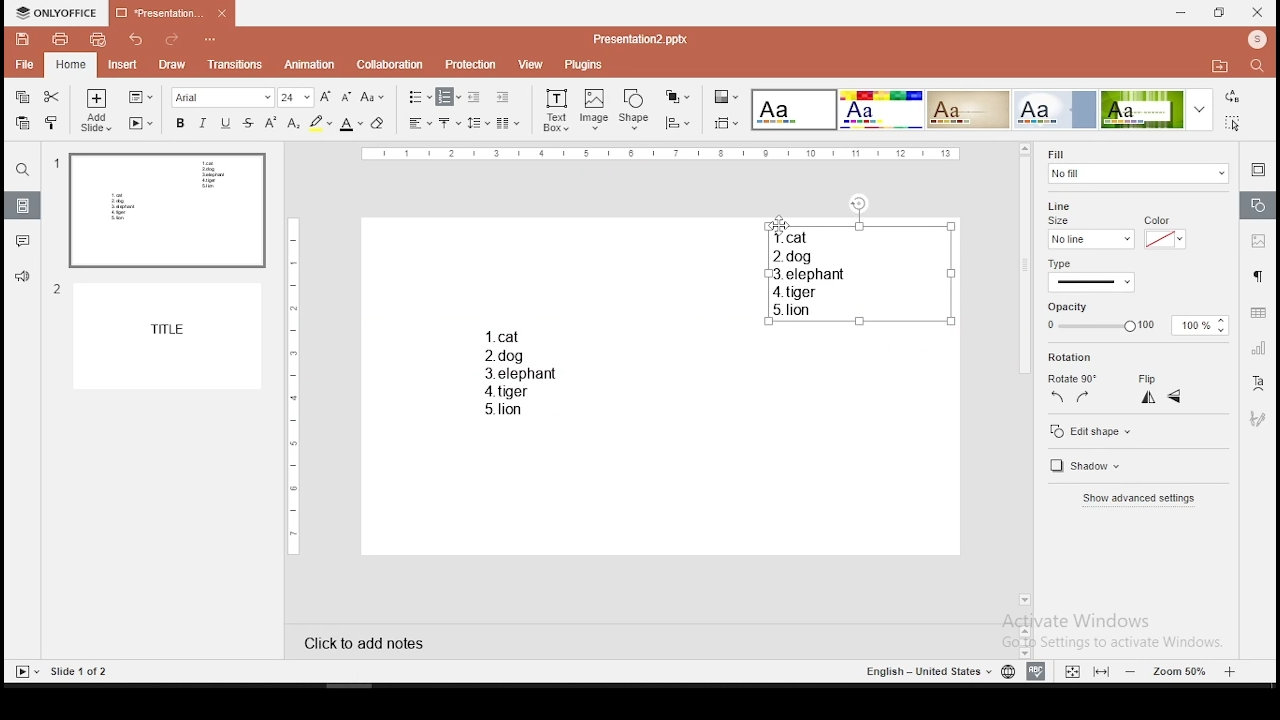 The height and width of the screenshot is (720, 1280). I want to click on eraser tool, so click(380, 123).